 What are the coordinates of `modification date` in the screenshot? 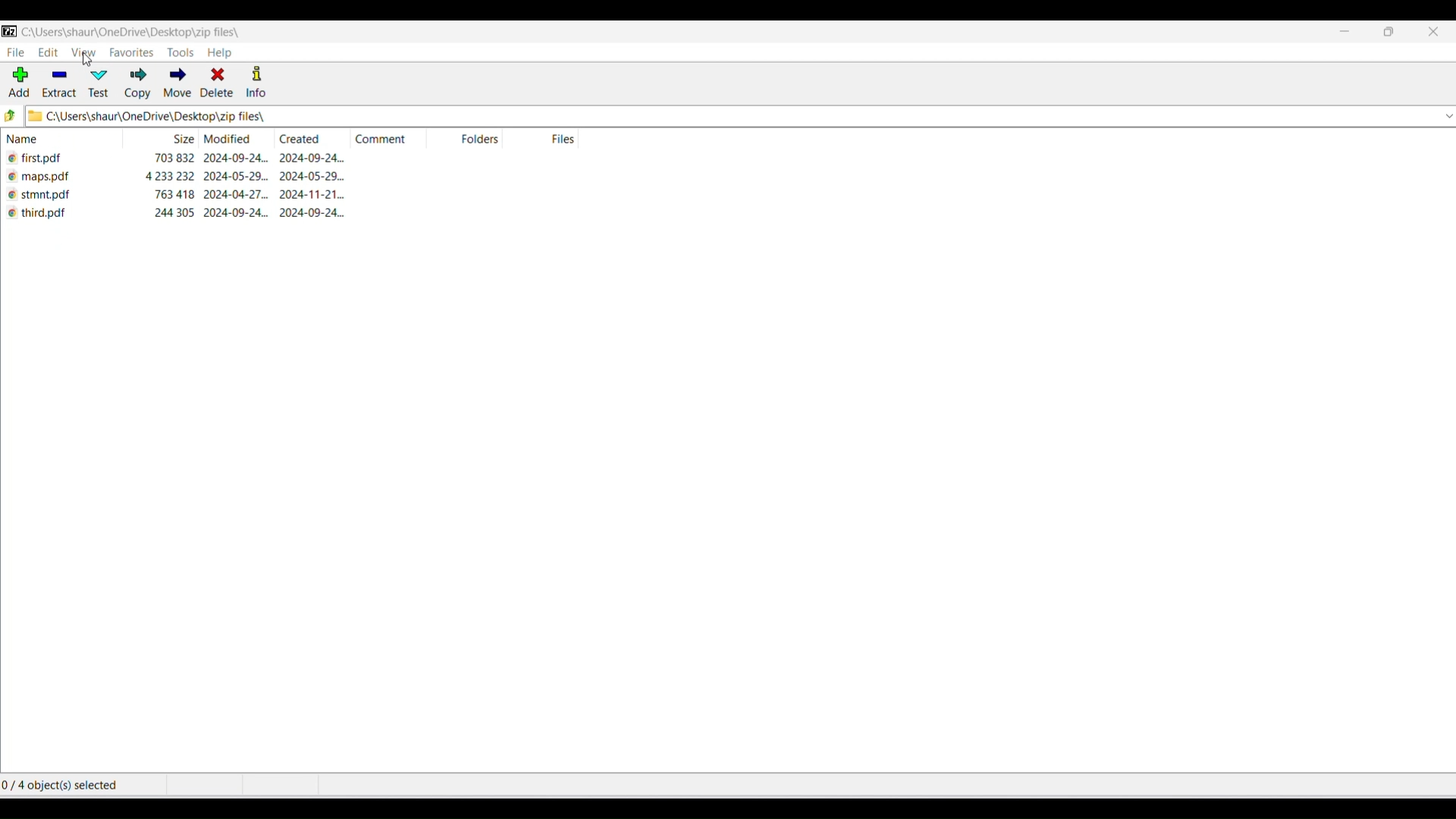 It's located at (237, 196).